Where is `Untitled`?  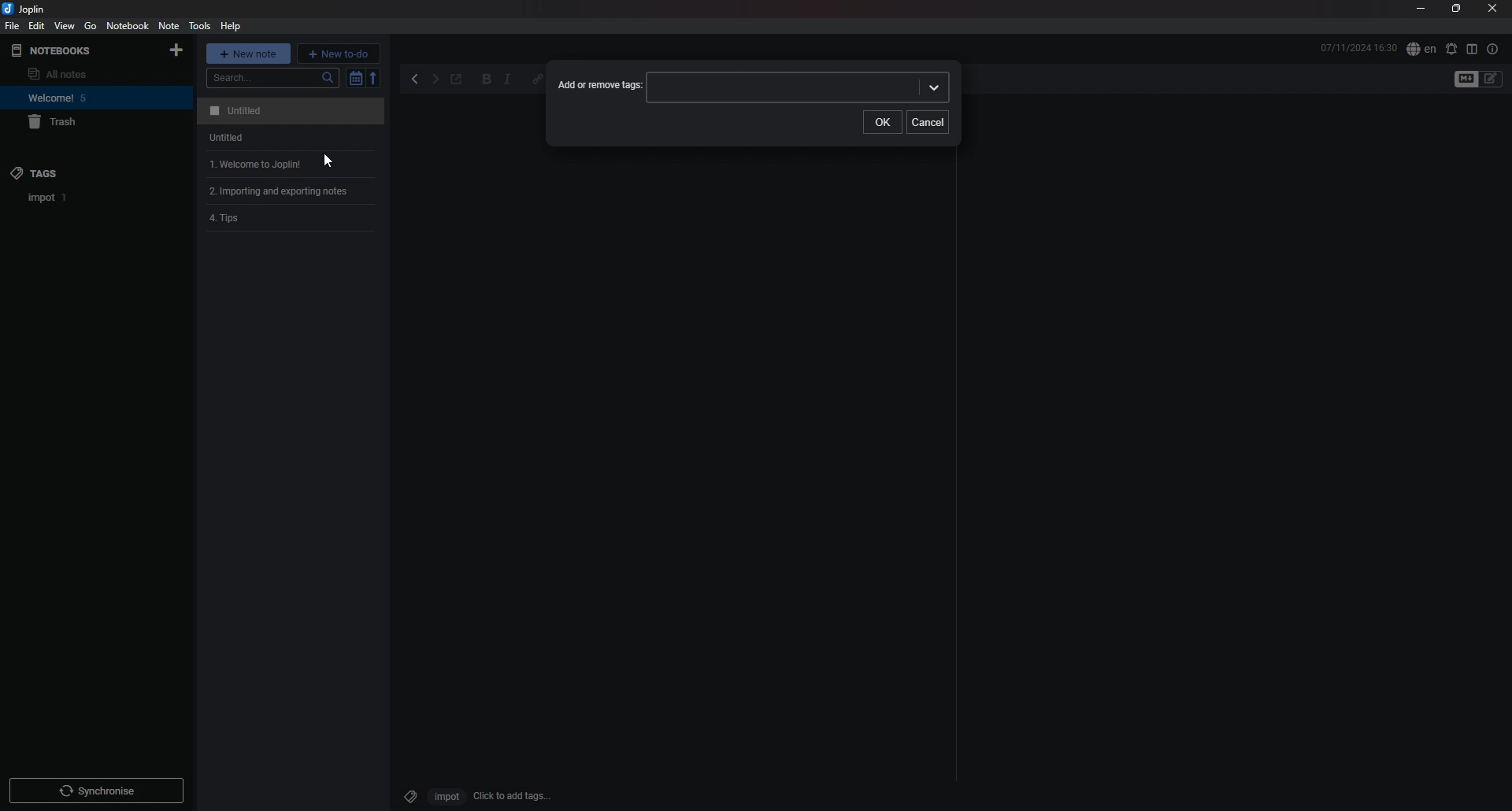 Untitled is located at coordinates (221, 139).